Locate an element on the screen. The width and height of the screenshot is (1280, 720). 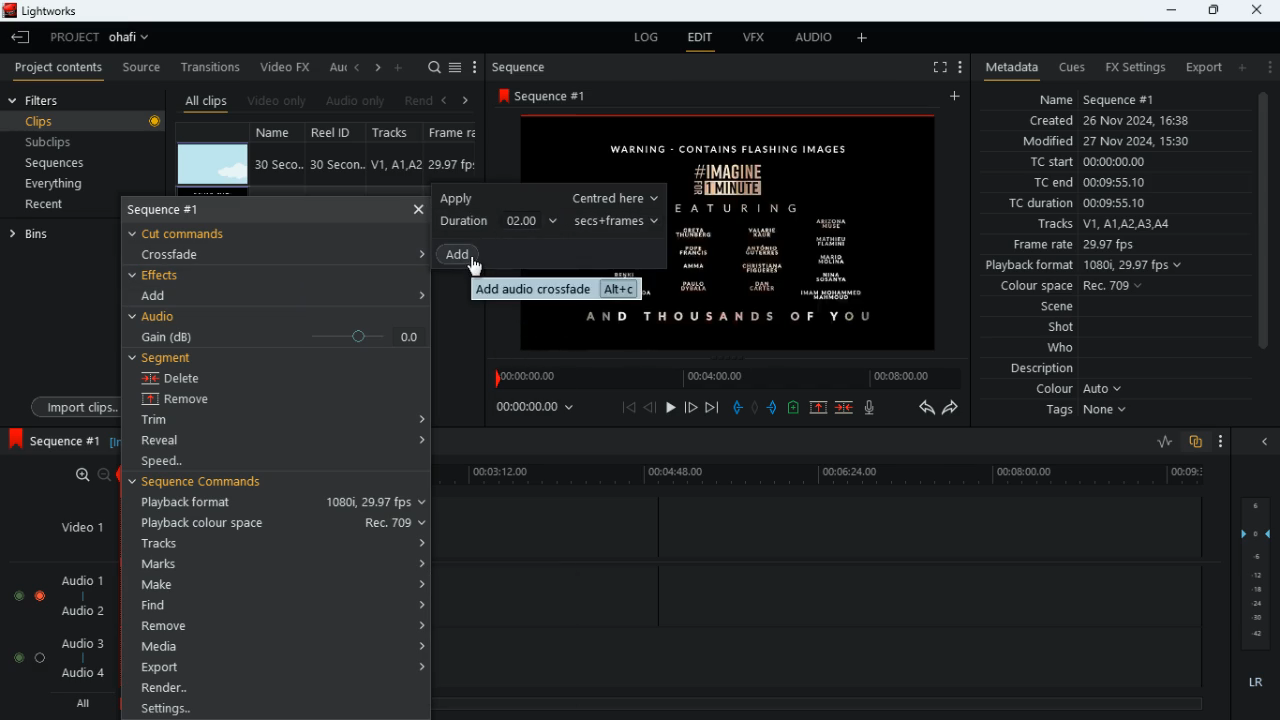
search is located at coordinates (434, 68).